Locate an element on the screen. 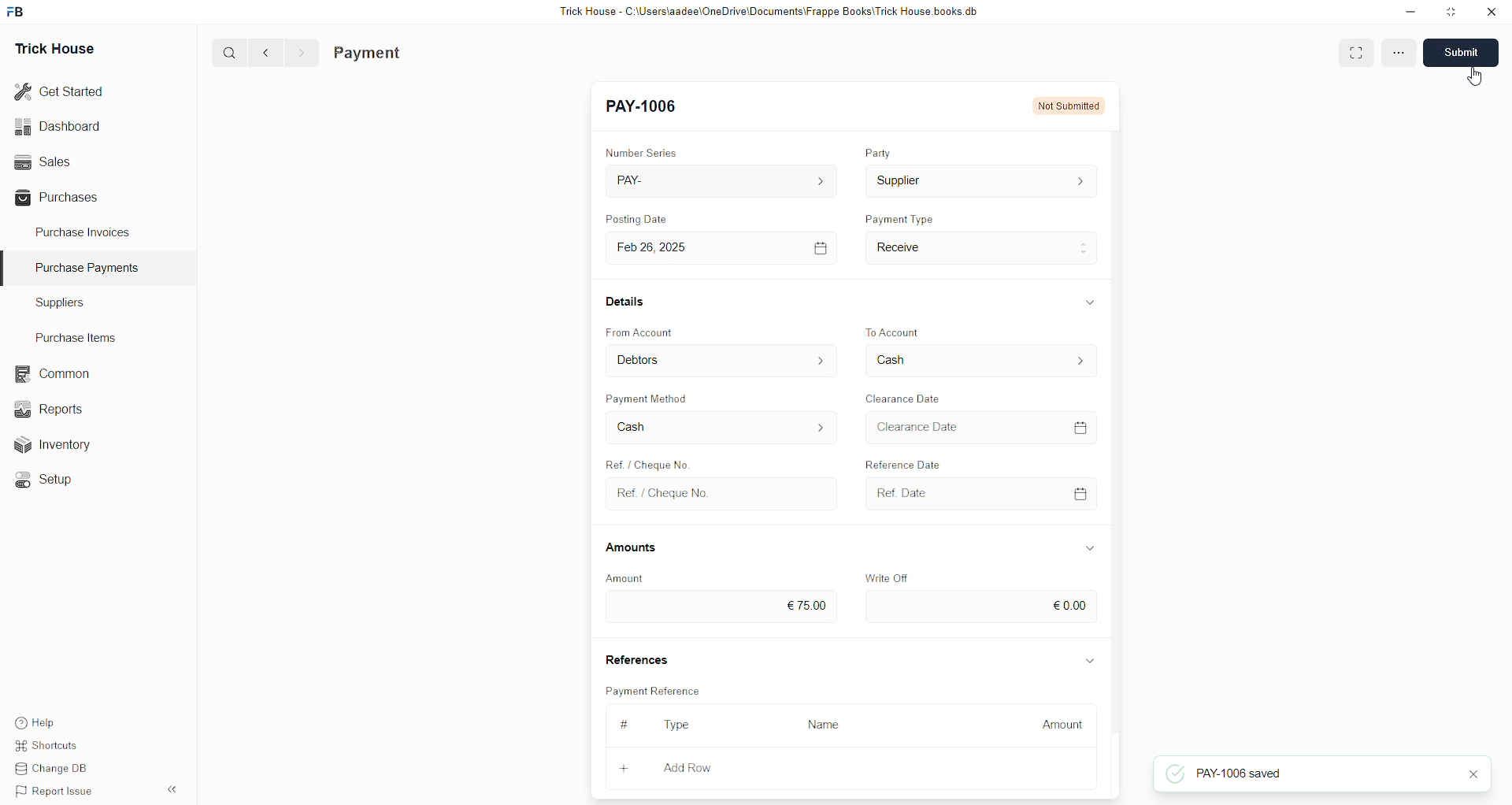 Image resolution: width=1512 pixels, height=805 pixels. €0.00 is located at coordinates (720, 608).